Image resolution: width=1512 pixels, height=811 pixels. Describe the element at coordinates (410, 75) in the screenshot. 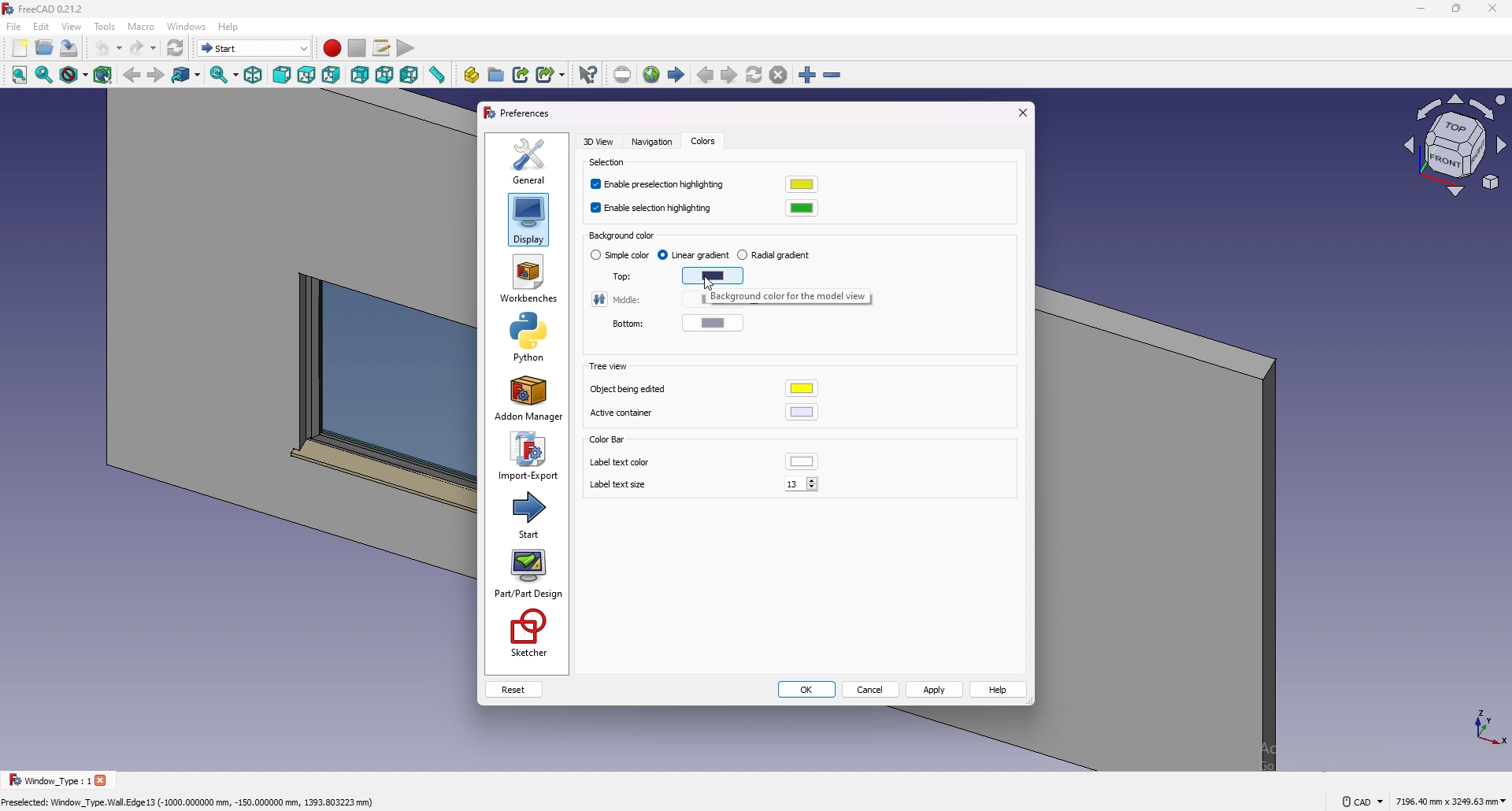

I see `left` at that location.